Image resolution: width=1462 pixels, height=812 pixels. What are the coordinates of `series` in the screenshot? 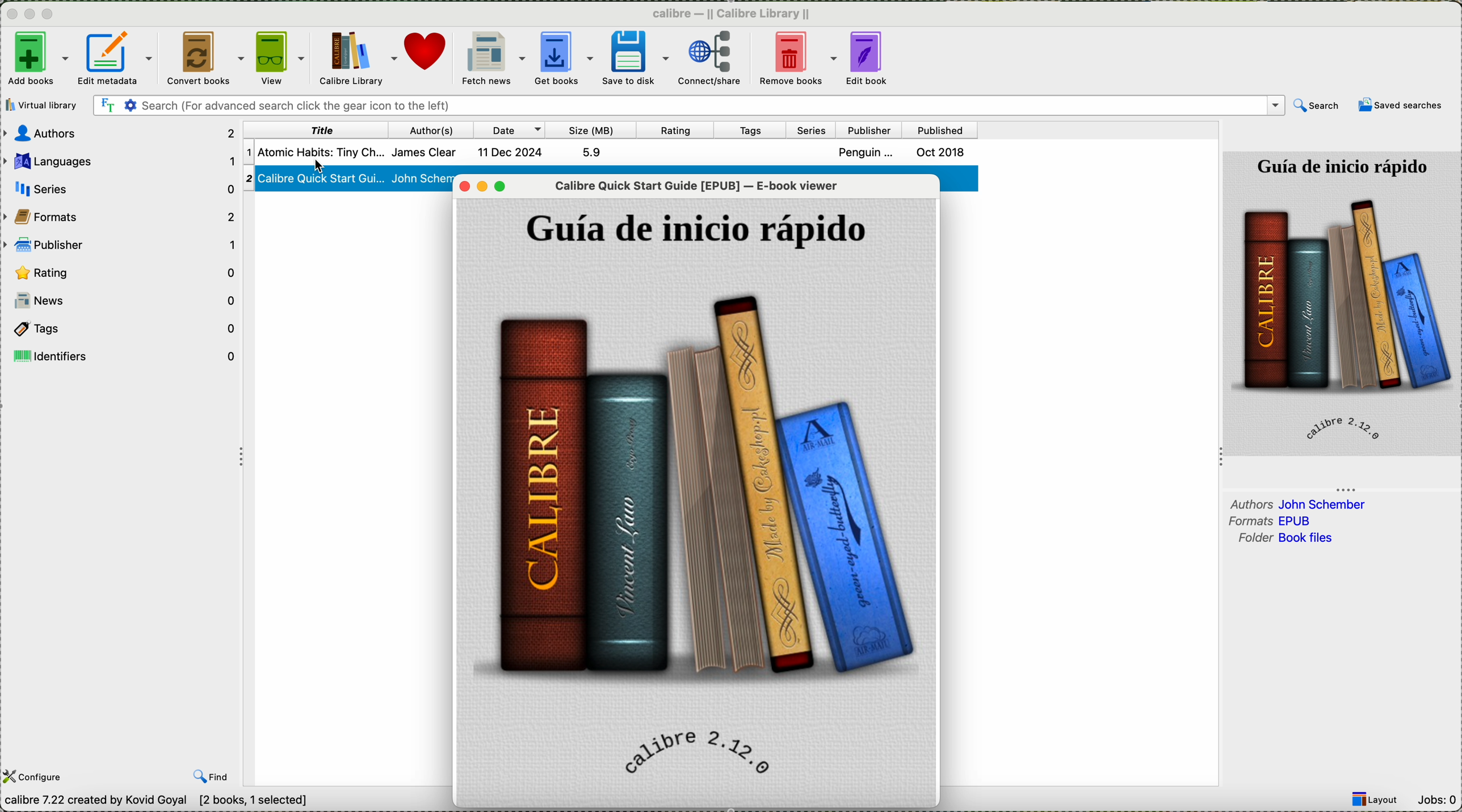 It's located at (812, 131).